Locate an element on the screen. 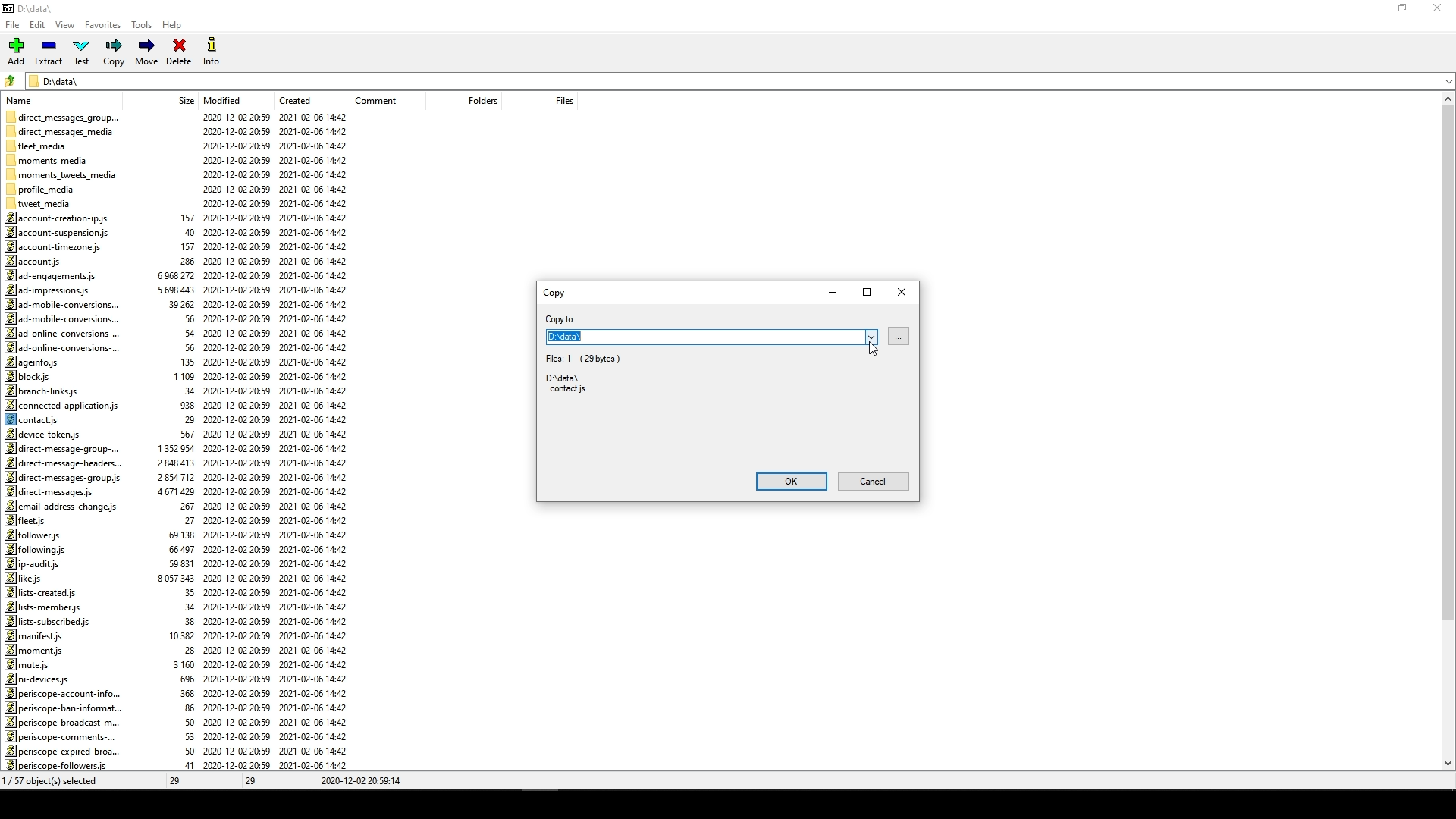 This screenshot has height=819, width=1456. contacts.js is located at coordinates (37, 419).